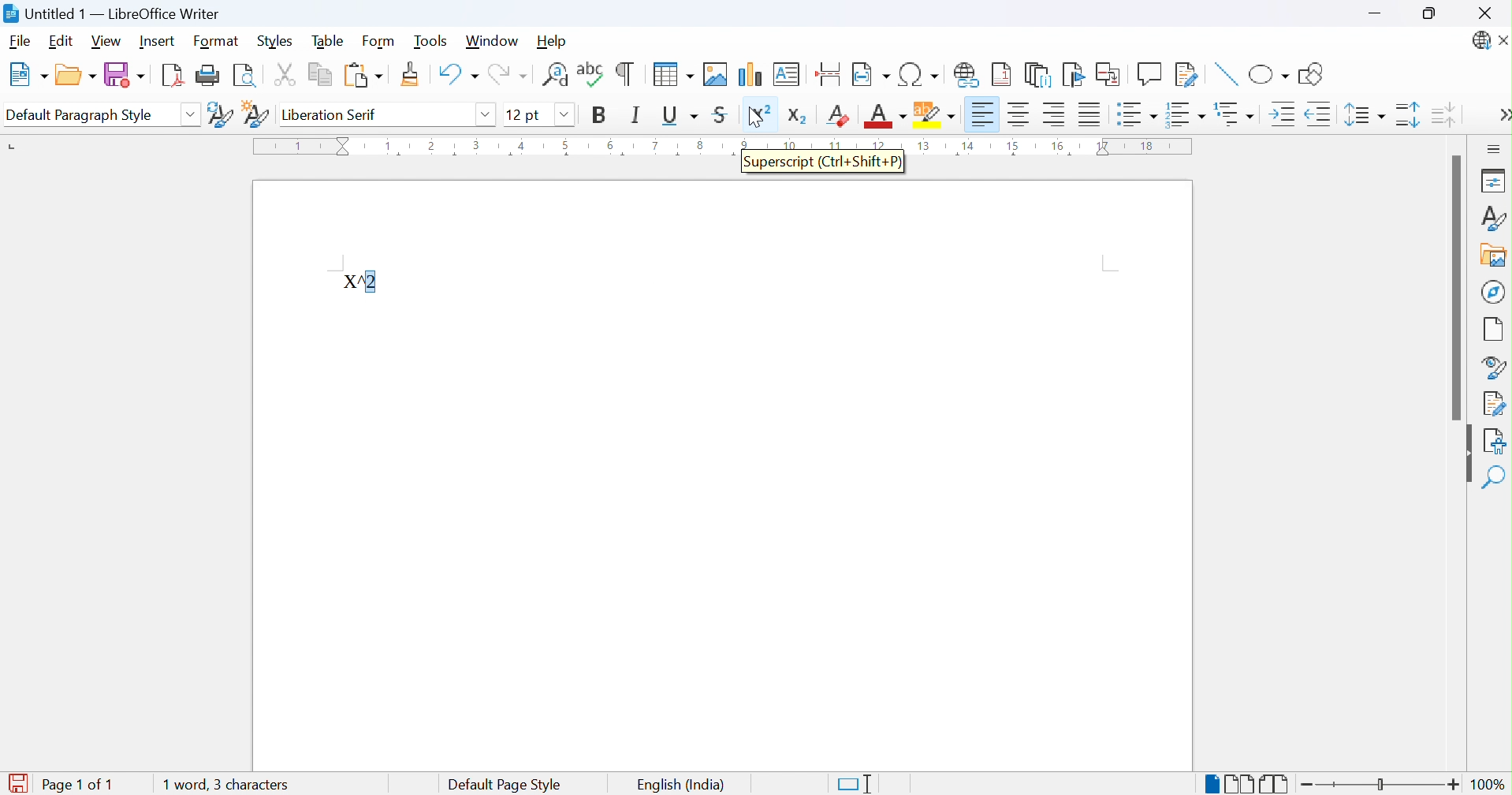 Image resolution: width=1512 pixels, height=795 pixels. I want to click on INcrease paragraph sacing, so click(1408, 114).